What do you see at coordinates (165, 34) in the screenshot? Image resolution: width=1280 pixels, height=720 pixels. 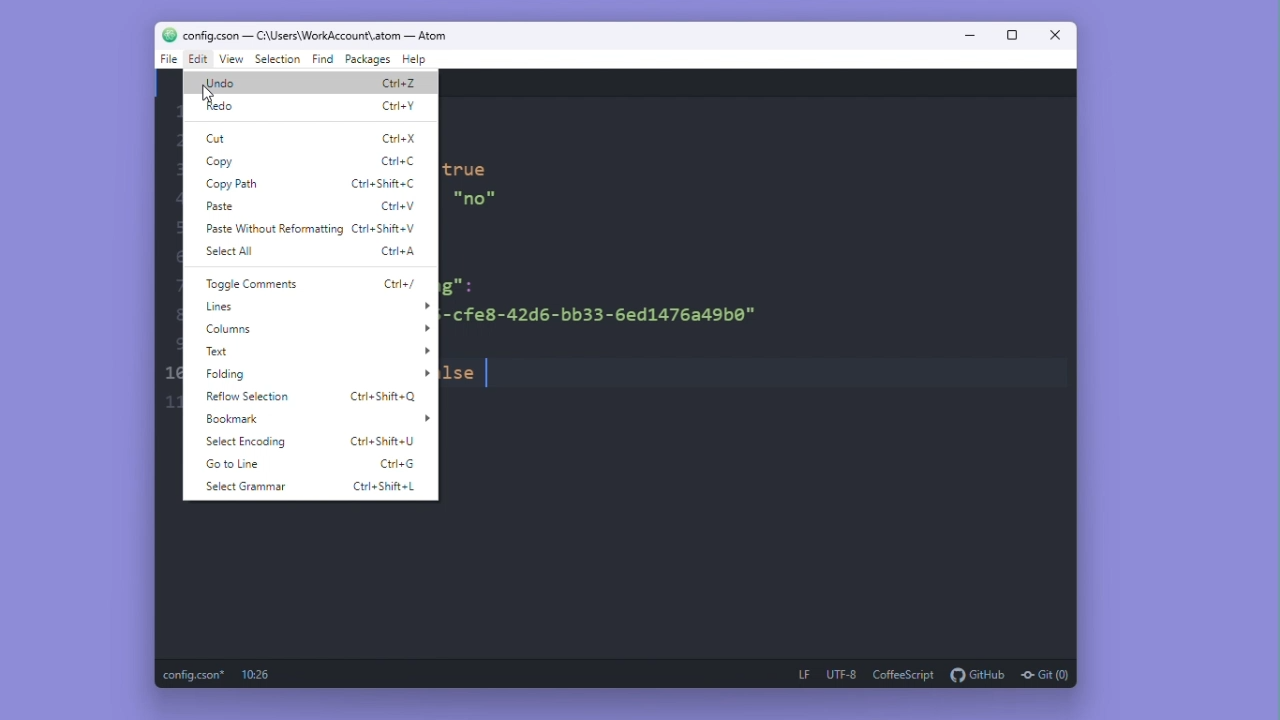 I see `logo` at bounding box center [165, 34].